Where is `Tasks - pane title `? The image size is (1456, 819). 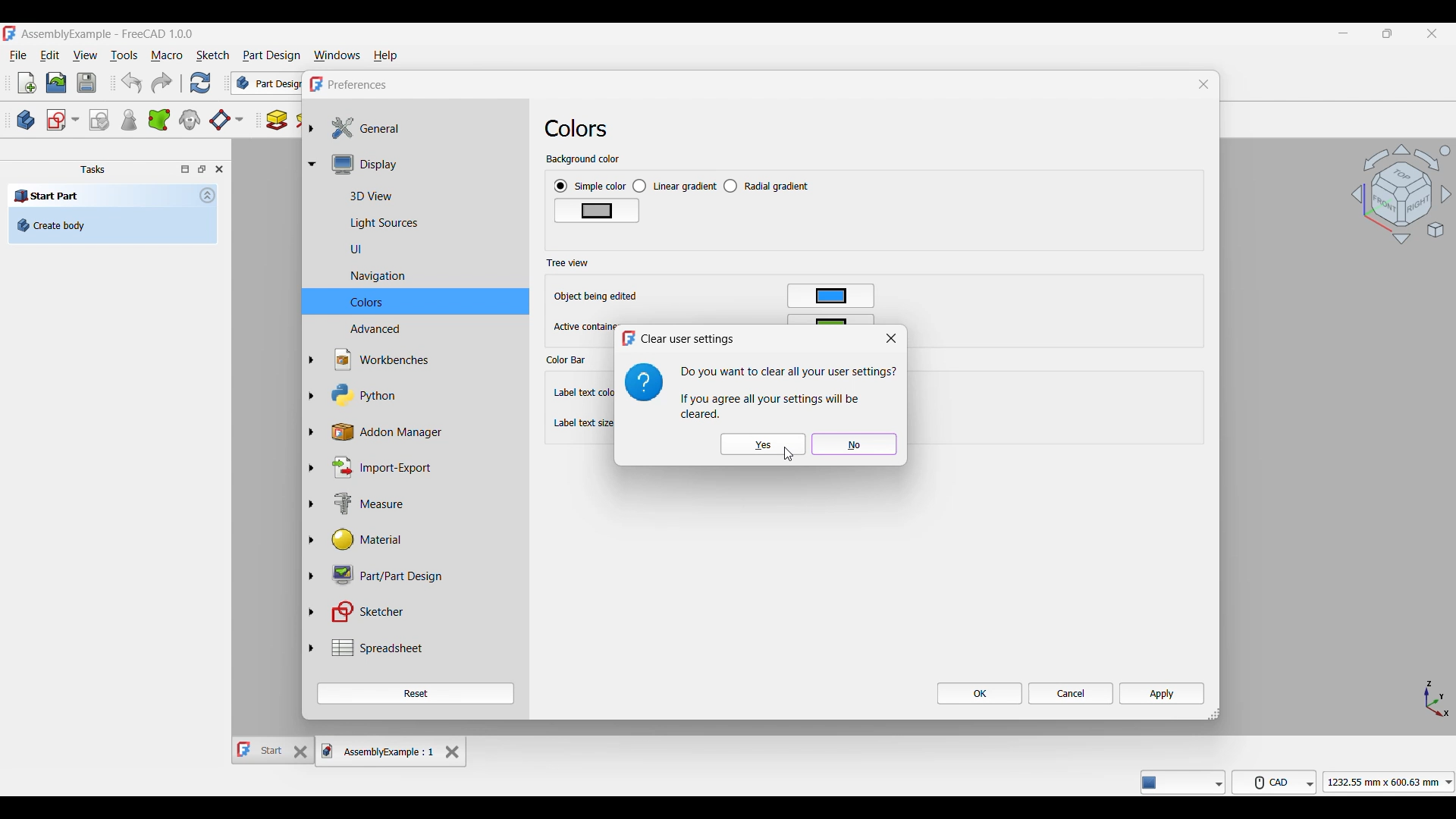
Tasks - pane title  is located at coordinates (93, 169).